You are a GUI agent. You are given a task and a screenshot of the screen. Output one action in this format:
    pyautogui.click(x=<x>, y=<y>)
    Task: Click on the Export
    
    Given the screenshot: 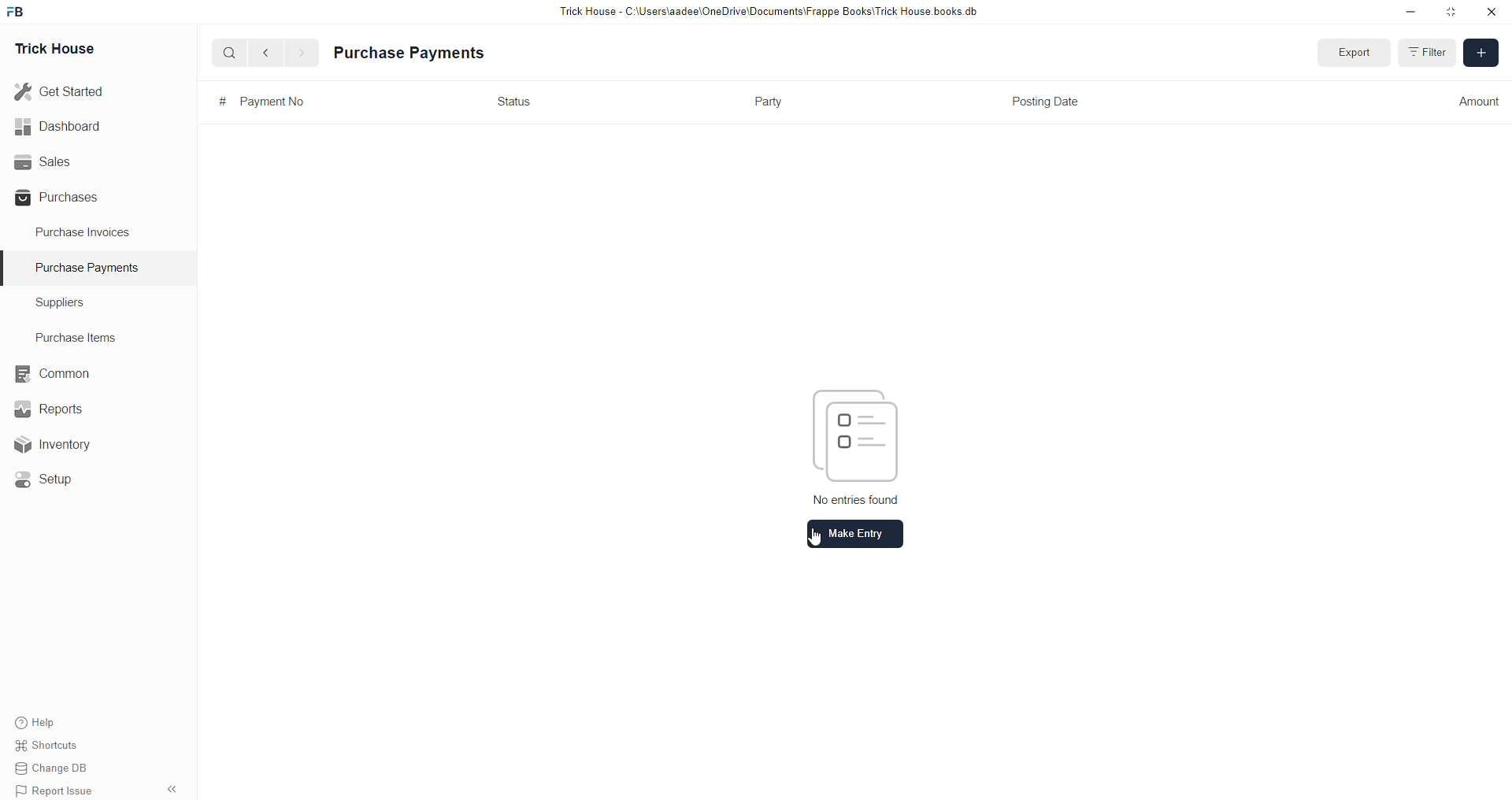 What is the action you would take?
    pyautogui.click(x=1348, y=51)
    